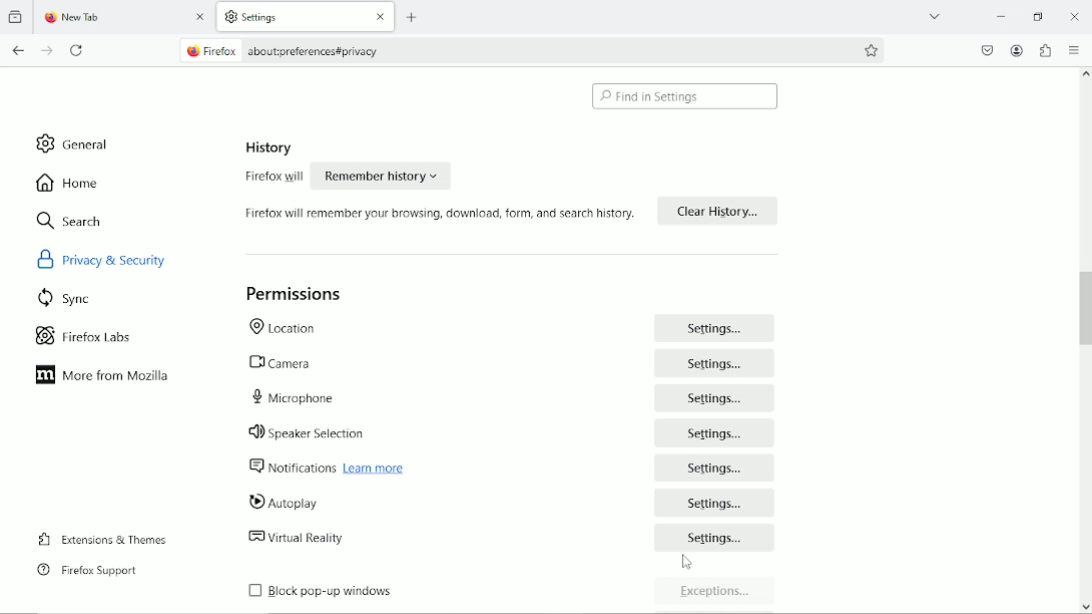  Describe the element at coordinates (48, 19) in the screenshot. I see `firefox logo` at that location.